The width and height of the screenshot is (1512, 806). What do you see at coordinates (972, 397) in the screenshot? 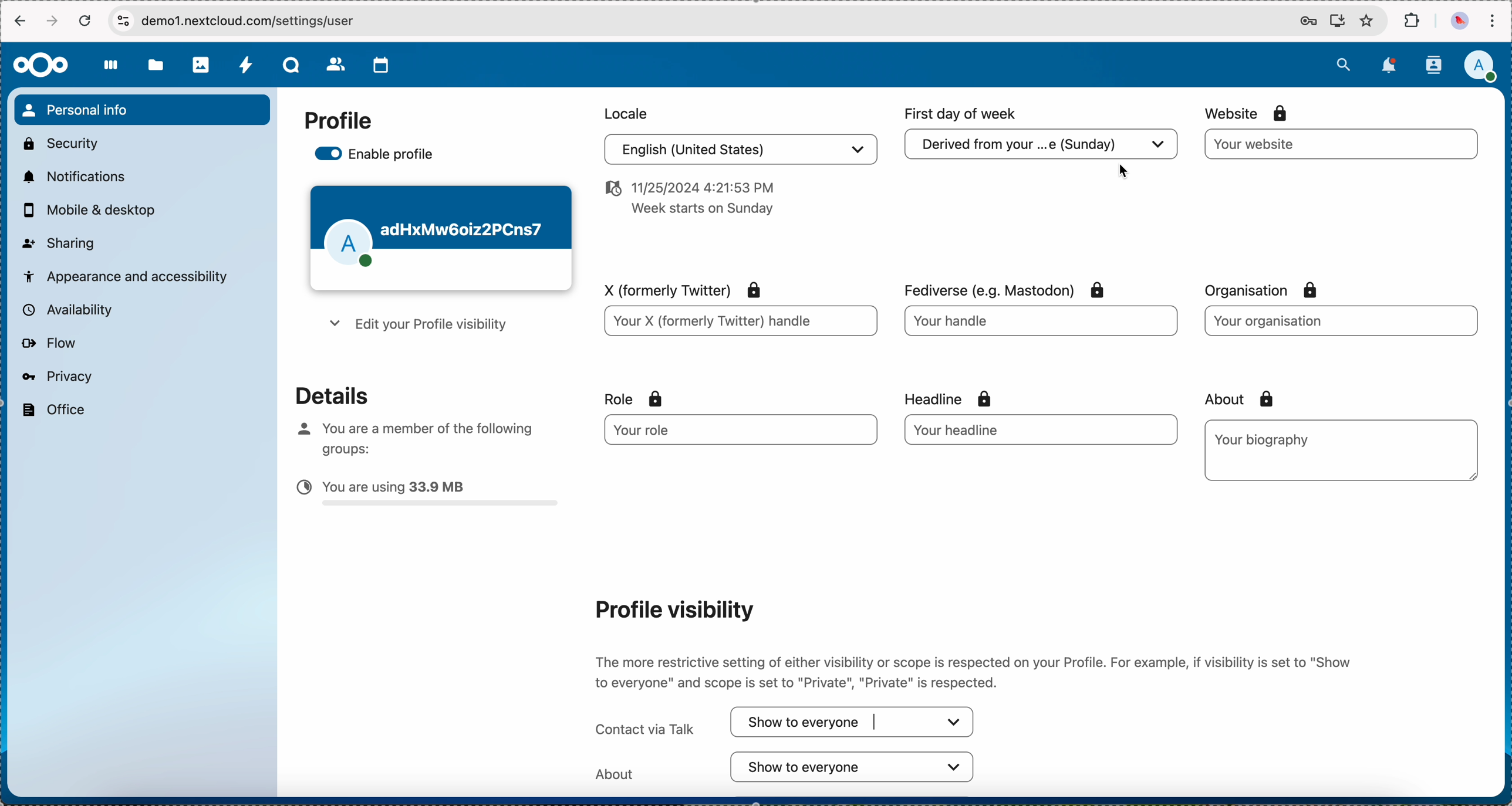
I see `headline` at bounding box center [972, 397].